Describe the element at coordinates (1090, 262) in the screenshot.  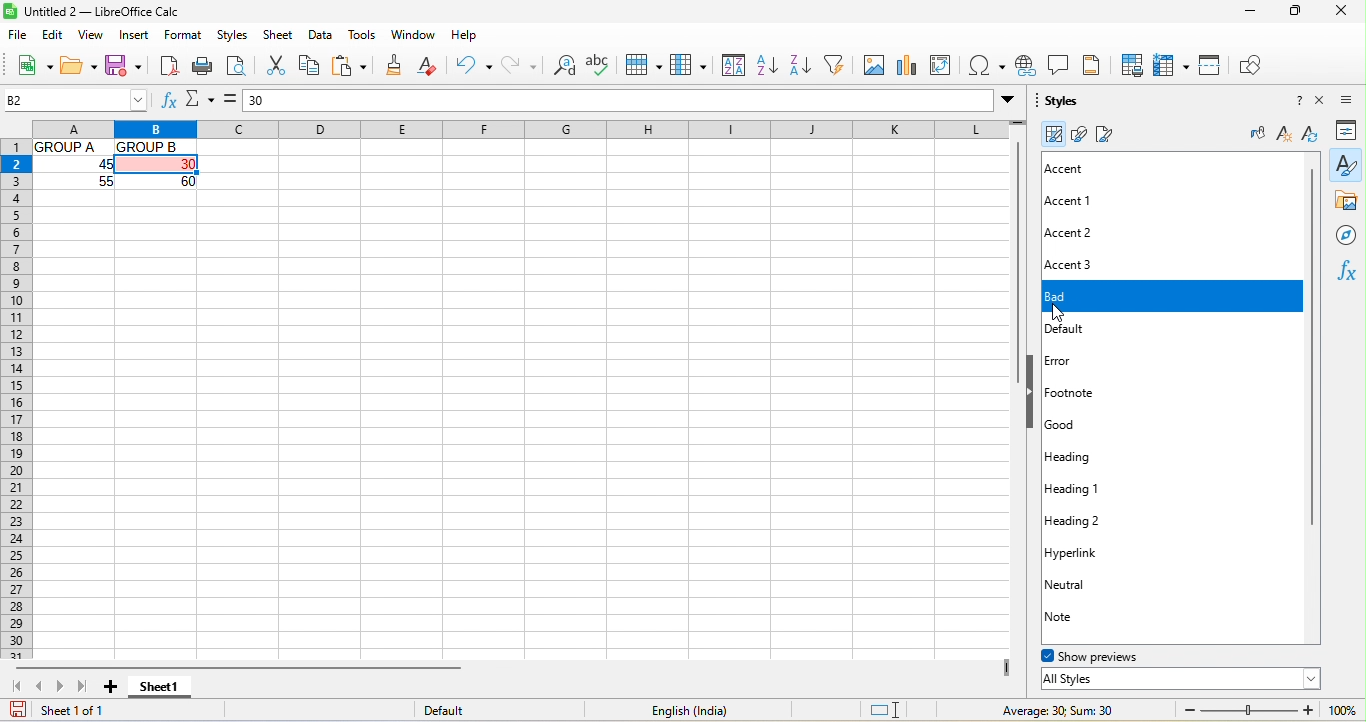
I see `accent 3` at that location.